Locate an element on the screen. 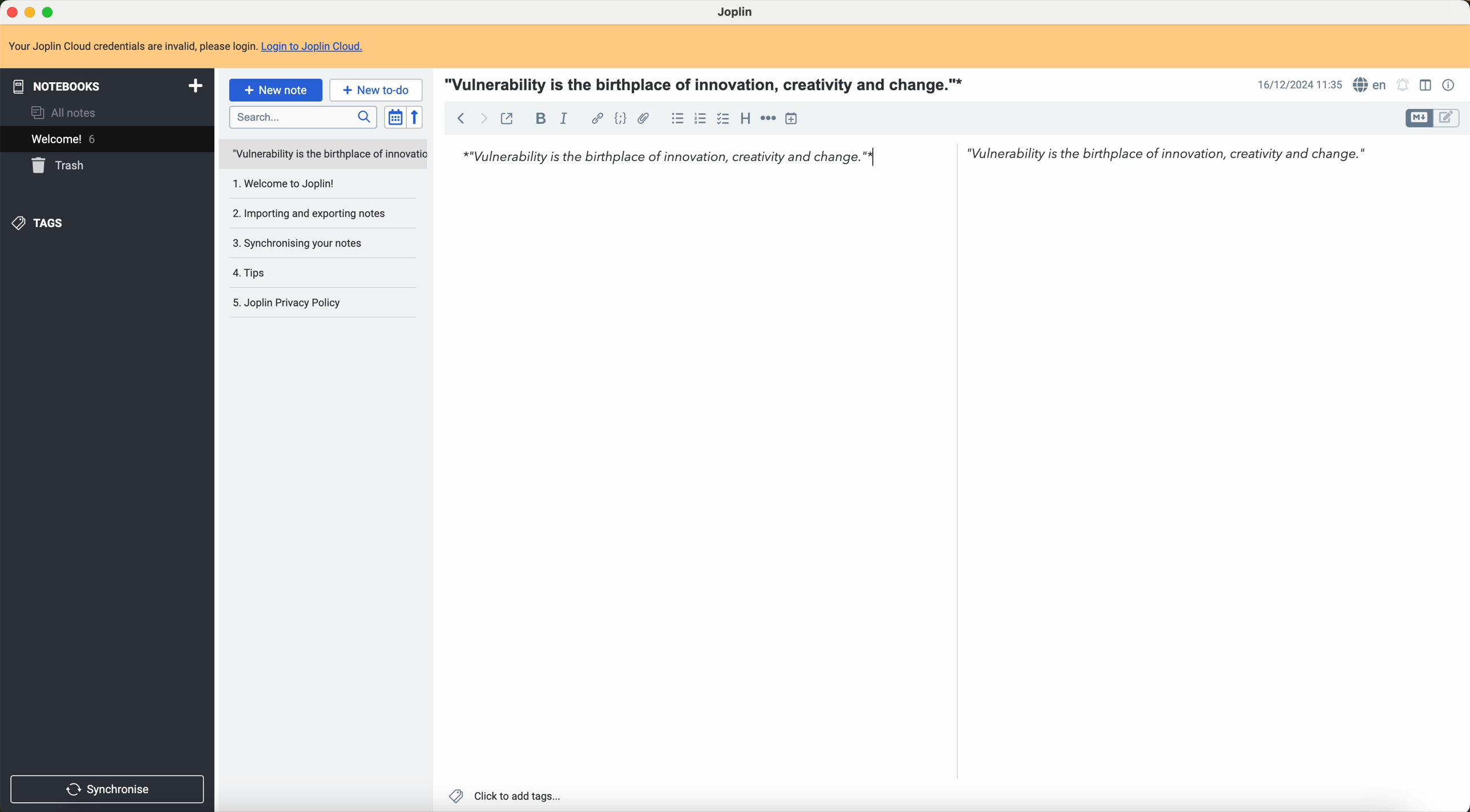  attach file is located at coordinates (644, 118).